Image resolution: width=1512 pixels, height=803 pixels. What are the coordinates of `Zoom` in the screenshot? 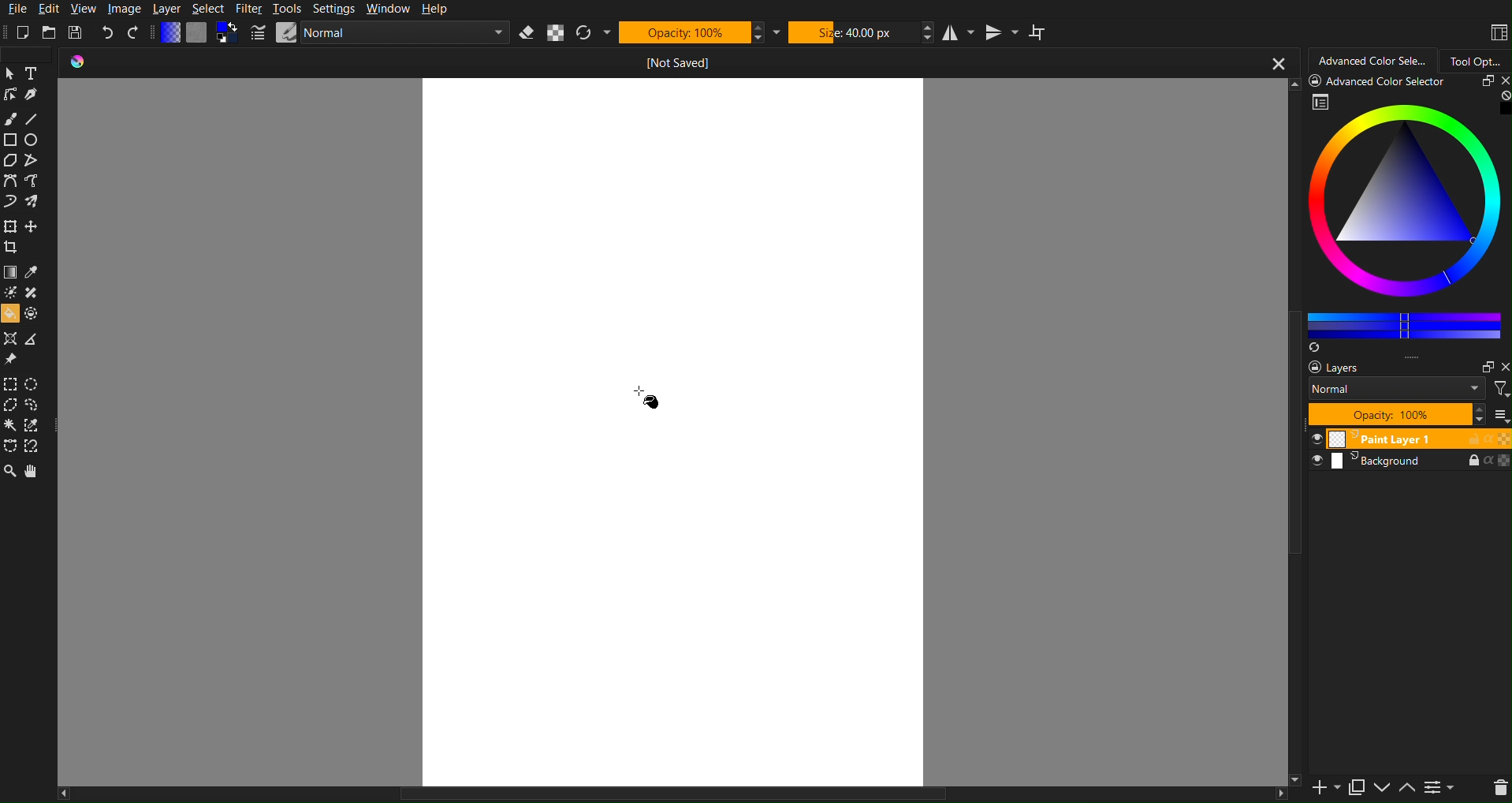 It's located at (10, 472).